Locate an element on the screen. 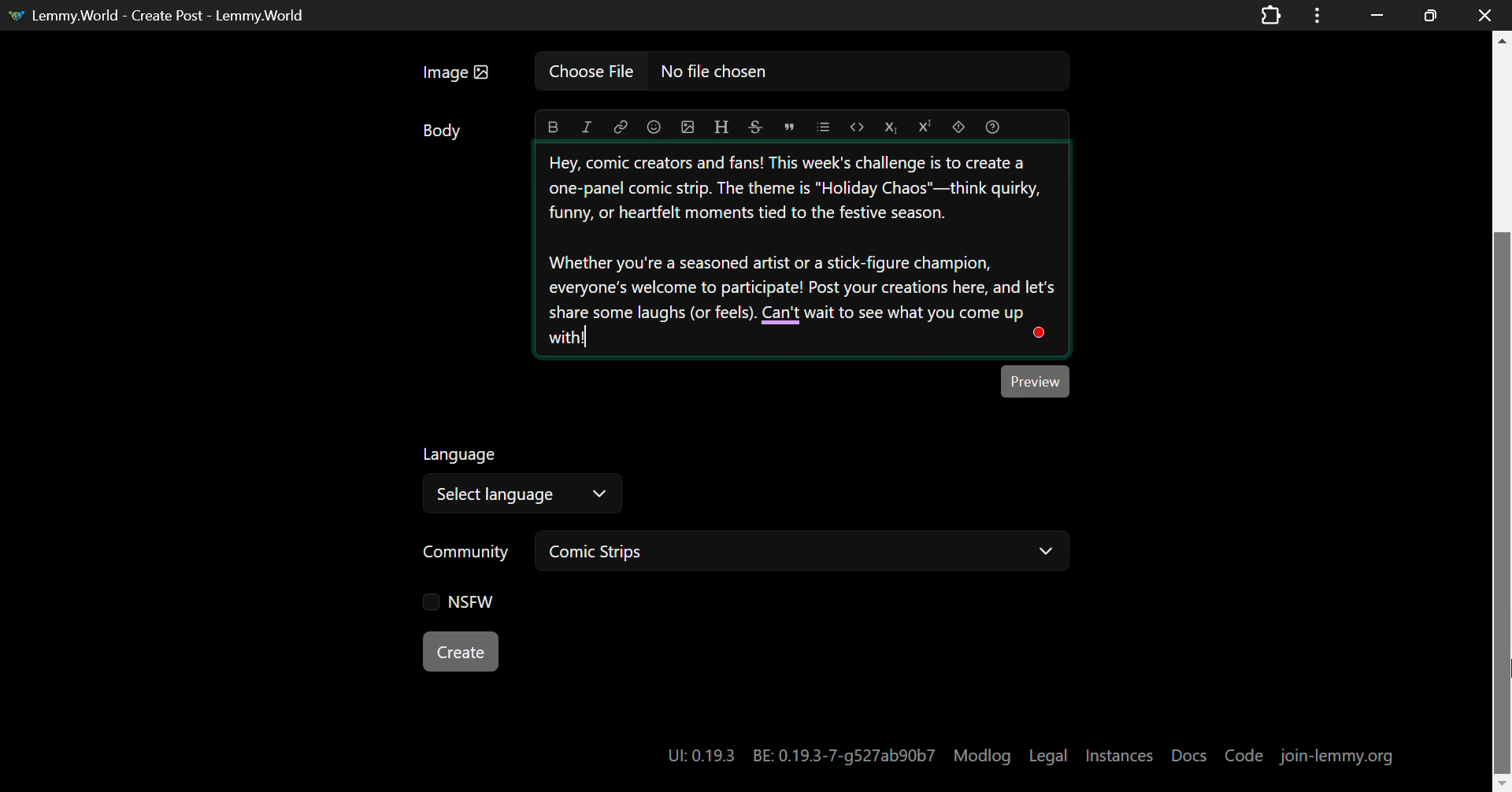  Options Menu is located at coordinates (1314, 14).